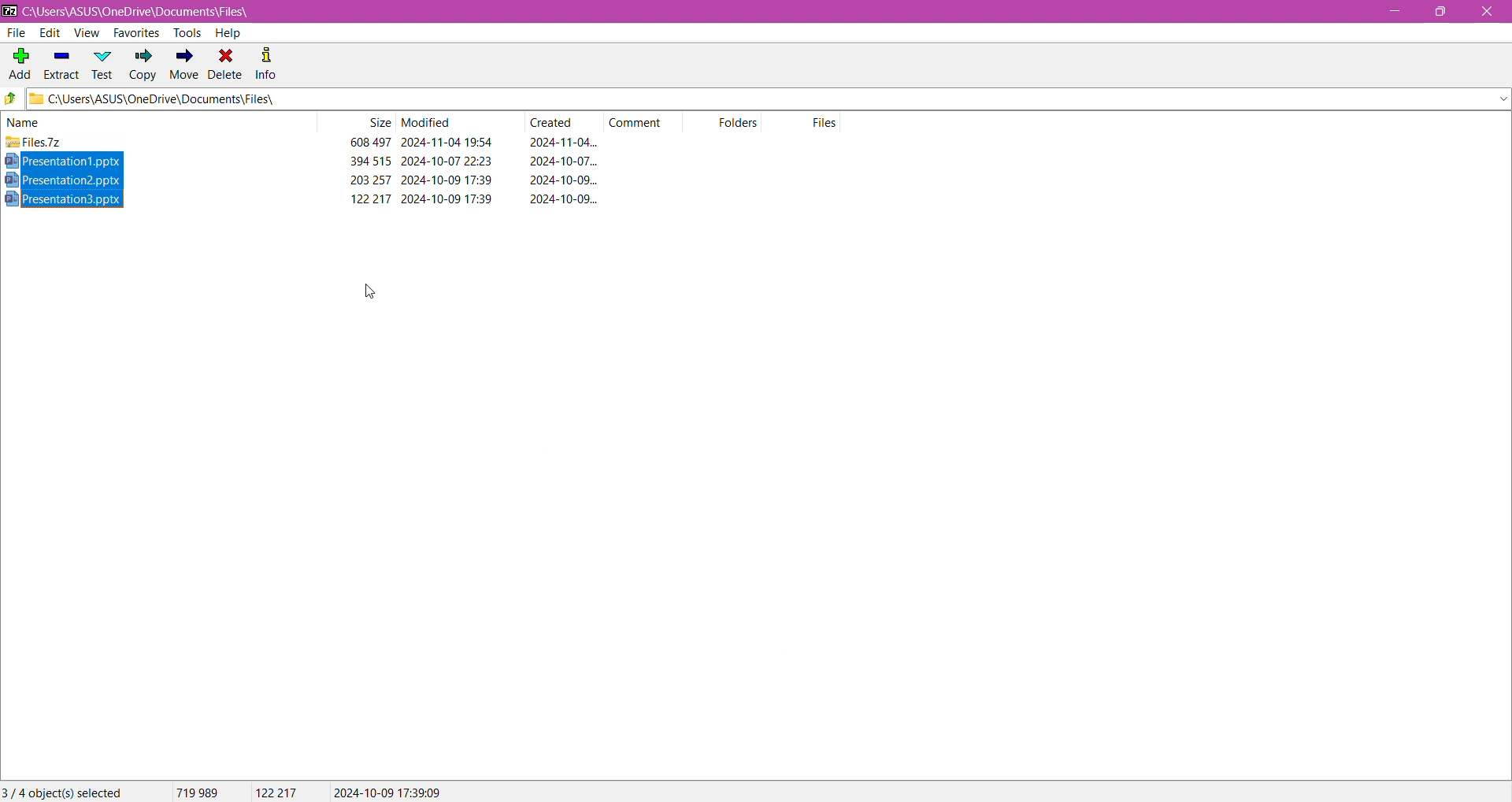 The height and width of the screenshot is (802, 1512). Describe the element at coordinates (150, 12) in the screenshot. I see `C:\Users\ASUS\OneDrive\Documents\Files\` at that location.